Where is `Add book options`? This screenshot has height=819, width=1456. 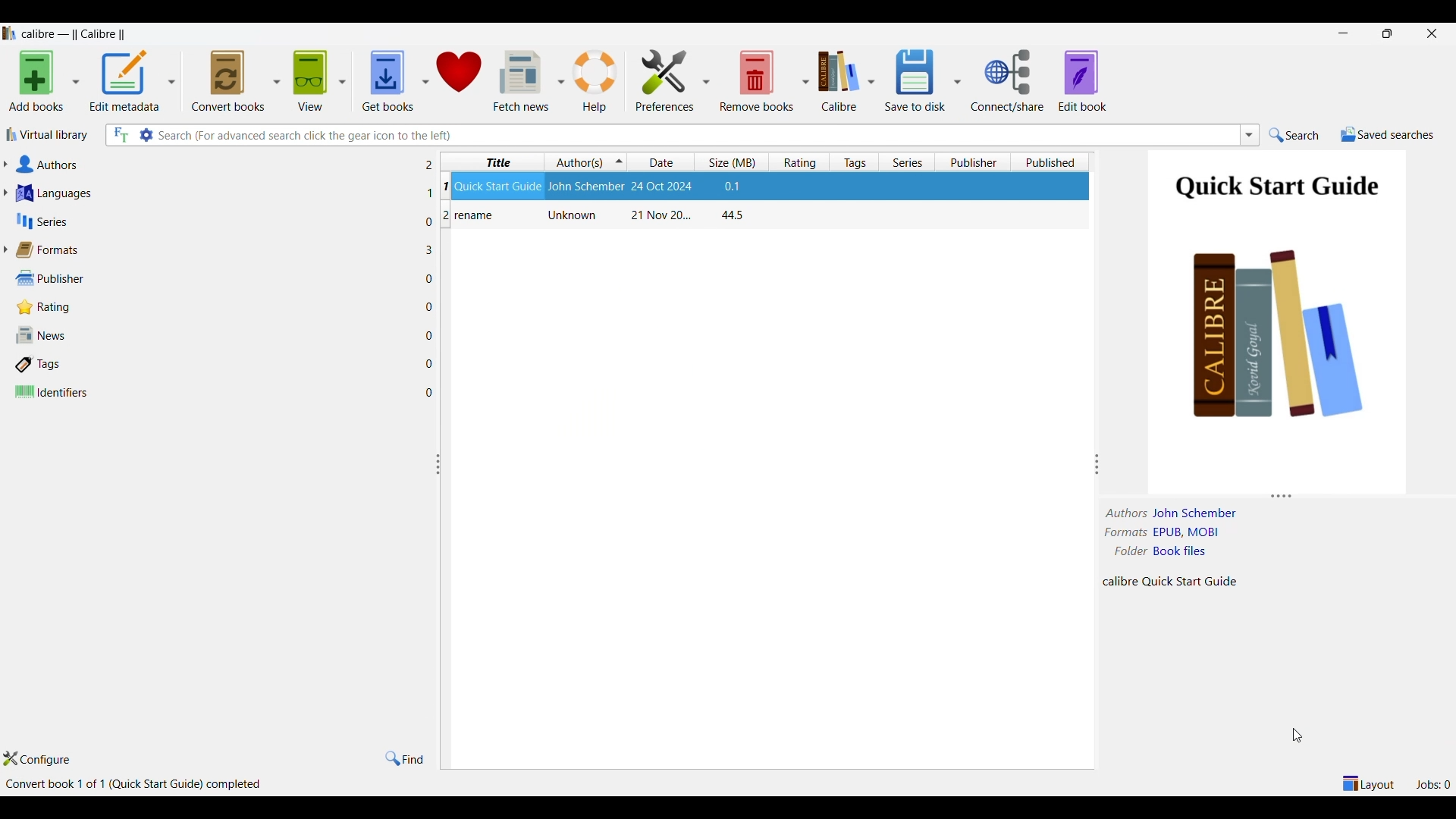 Add book options is located at coordinates (77, 81).